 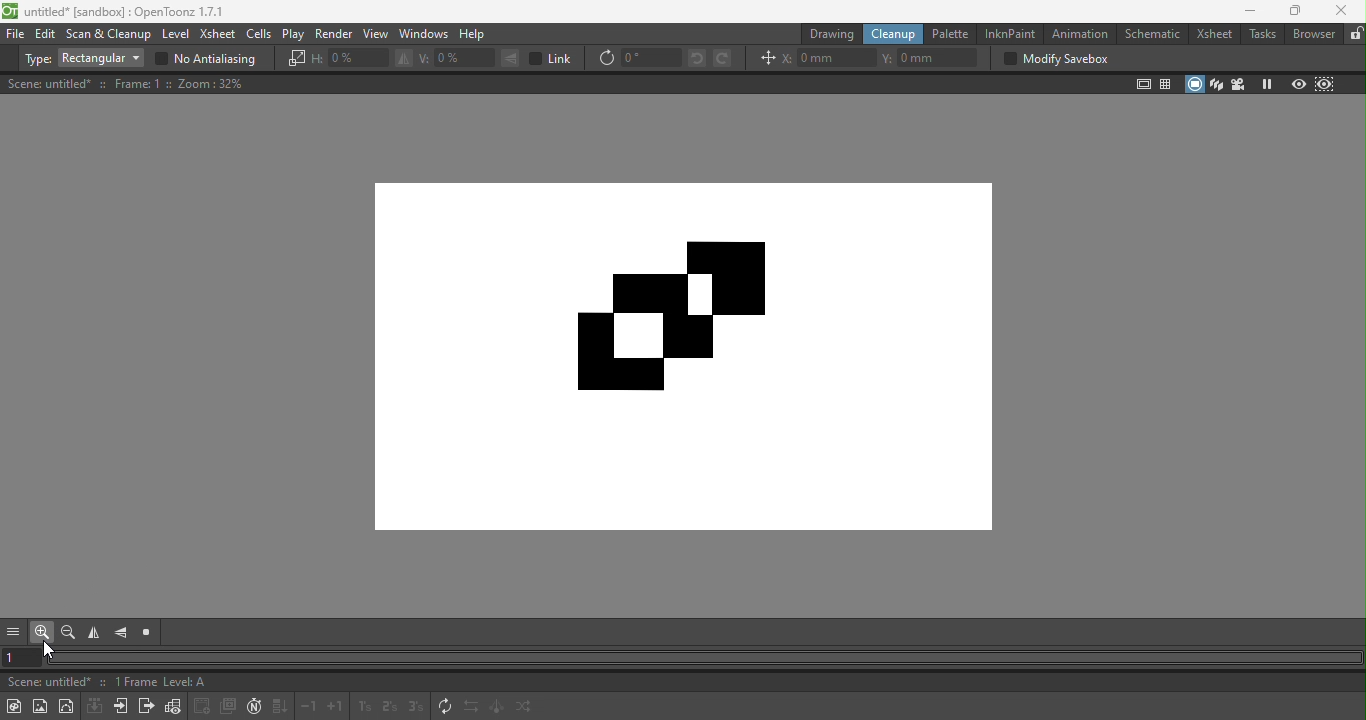 What do you see at coordinates (386, 707) in the screenshot?
I see `Reframe on 2's` at bounding box center [386, 707].